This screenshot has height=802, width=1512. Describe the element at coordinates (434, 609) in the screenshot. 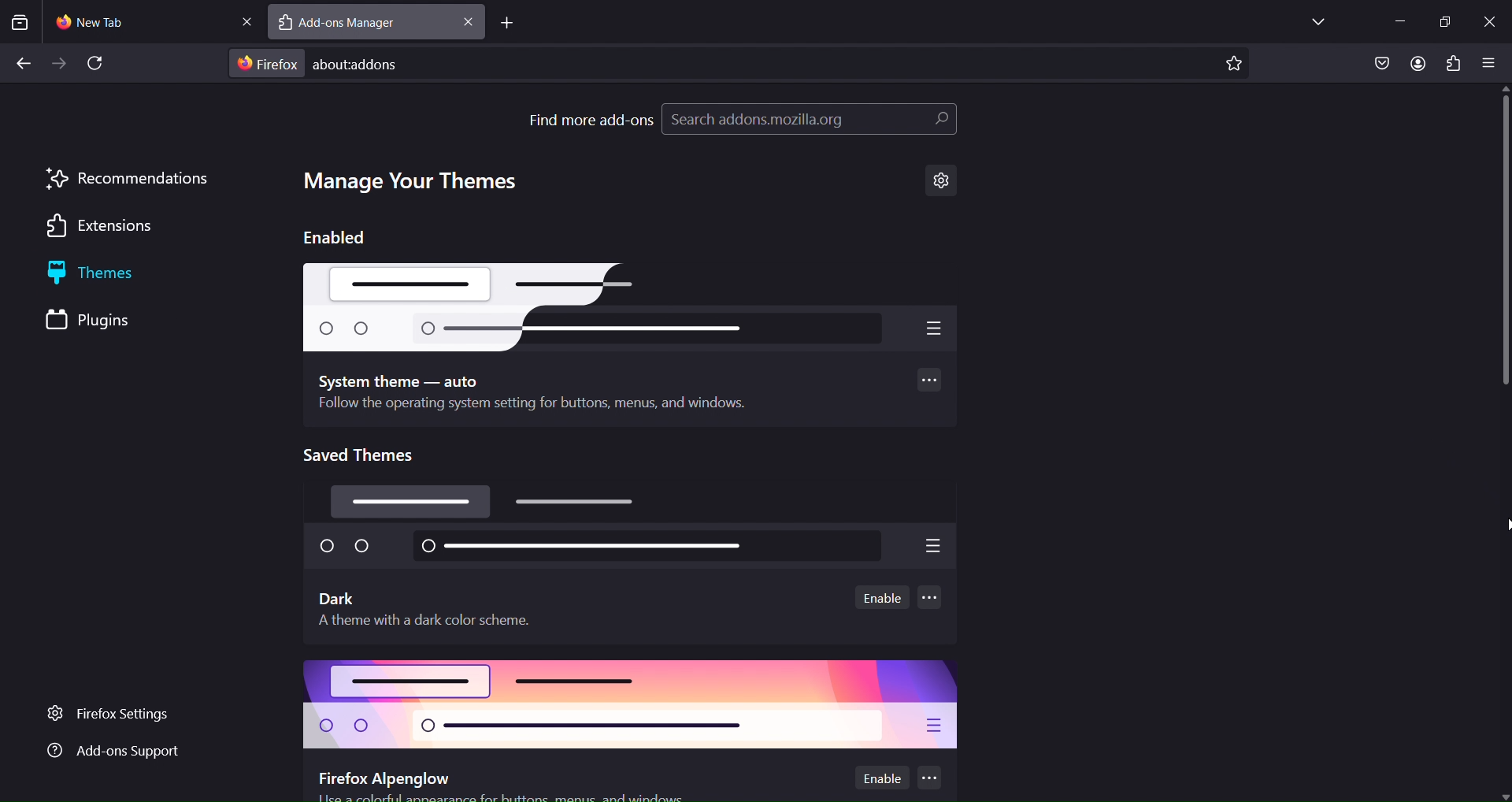

I see `Dark
A theme with a dark color scheme.` at that location.